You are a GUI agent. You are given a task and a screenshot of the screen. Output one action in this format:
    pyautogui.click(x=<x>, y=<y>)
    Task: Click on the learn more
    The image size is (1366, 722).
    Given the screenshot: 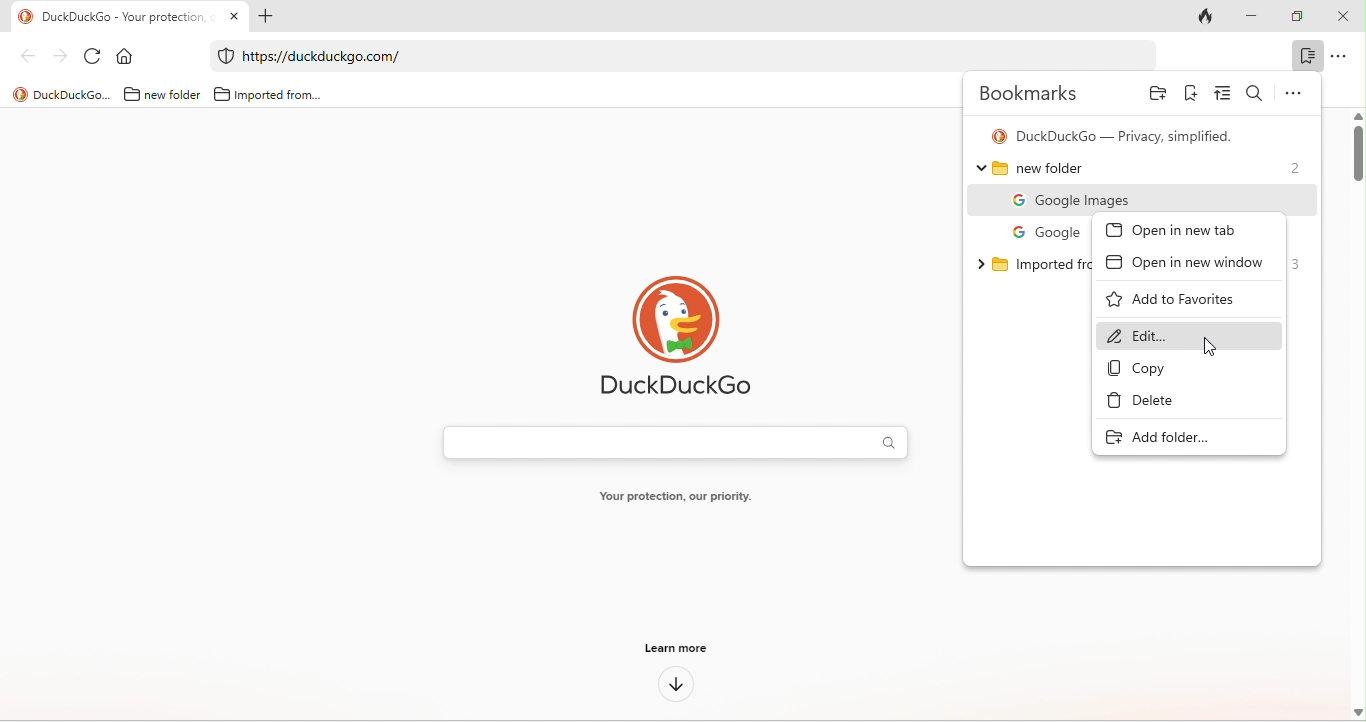 What is the action you would take?
    pyautogui.click(x=677, y=651)
    